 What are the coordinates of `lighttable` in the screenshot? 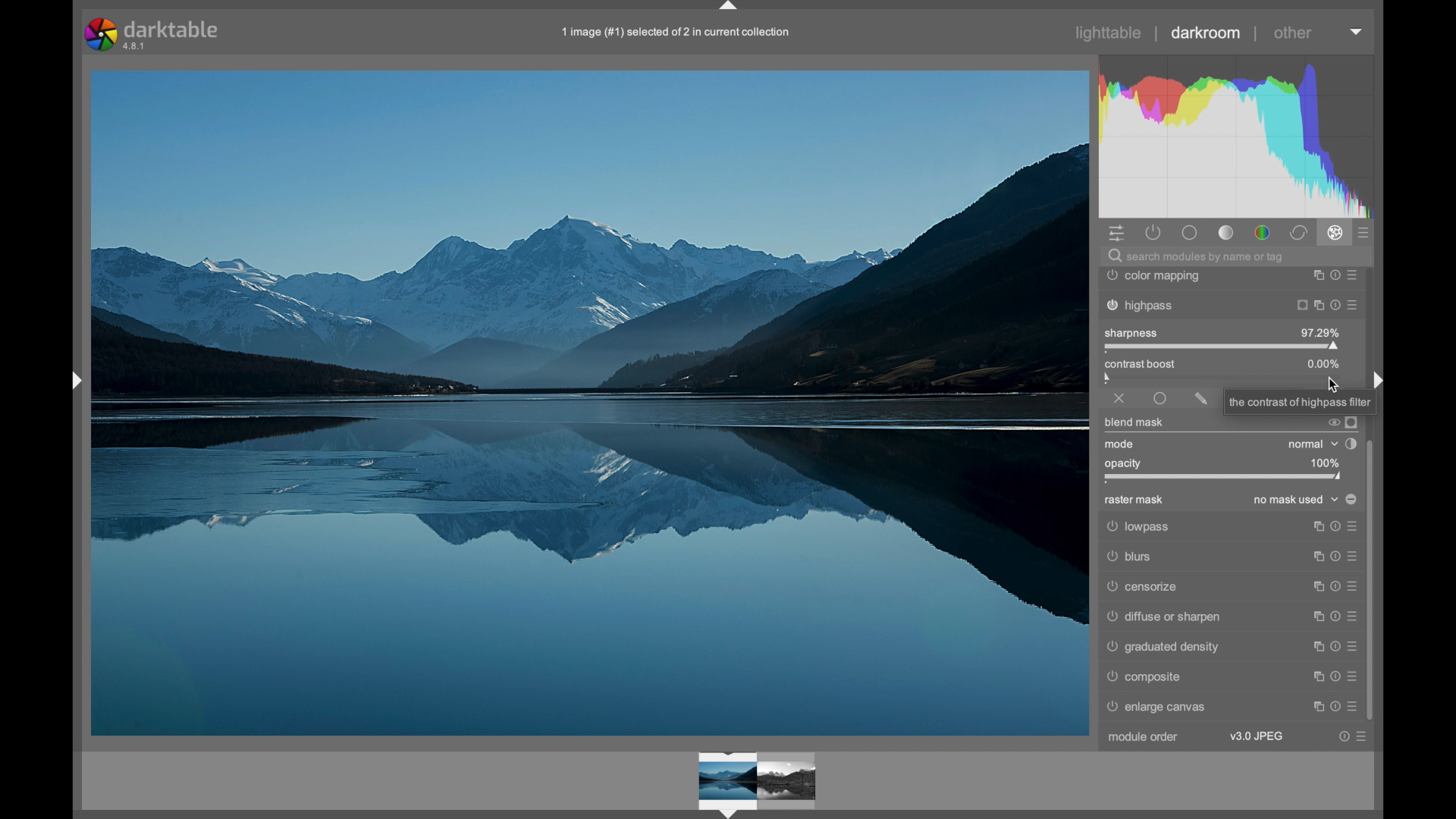 It's located at (1109, 33).